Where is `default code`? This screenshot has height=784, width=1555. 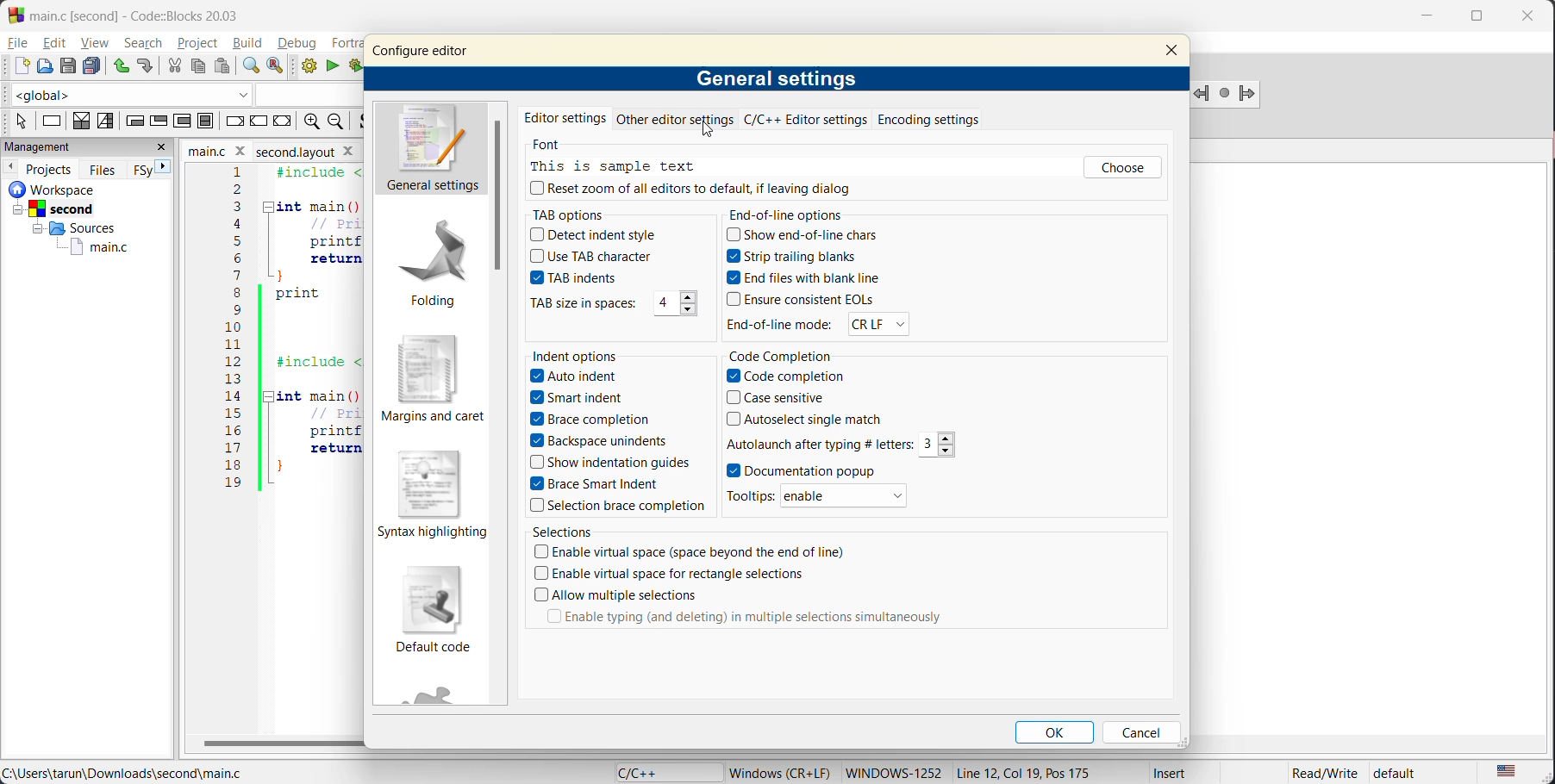
default code is located at coordinates (435, 610).